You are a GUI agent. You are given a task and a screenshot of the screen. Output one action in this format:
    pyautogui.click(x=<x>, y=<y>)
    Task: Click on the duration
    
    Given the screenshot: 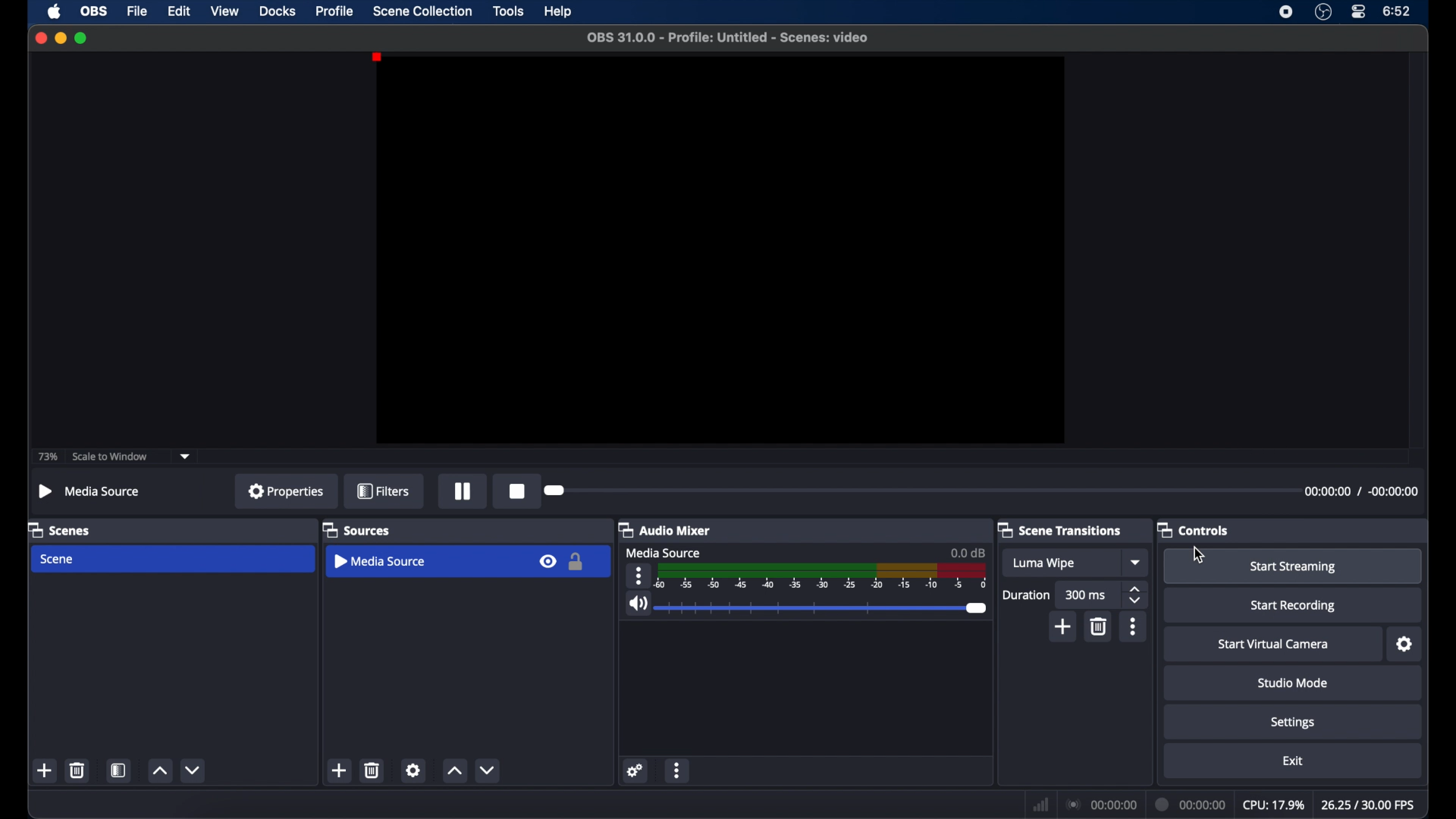 What is the action you would take?
    pyautogui.click(x=1191, y=805)
    